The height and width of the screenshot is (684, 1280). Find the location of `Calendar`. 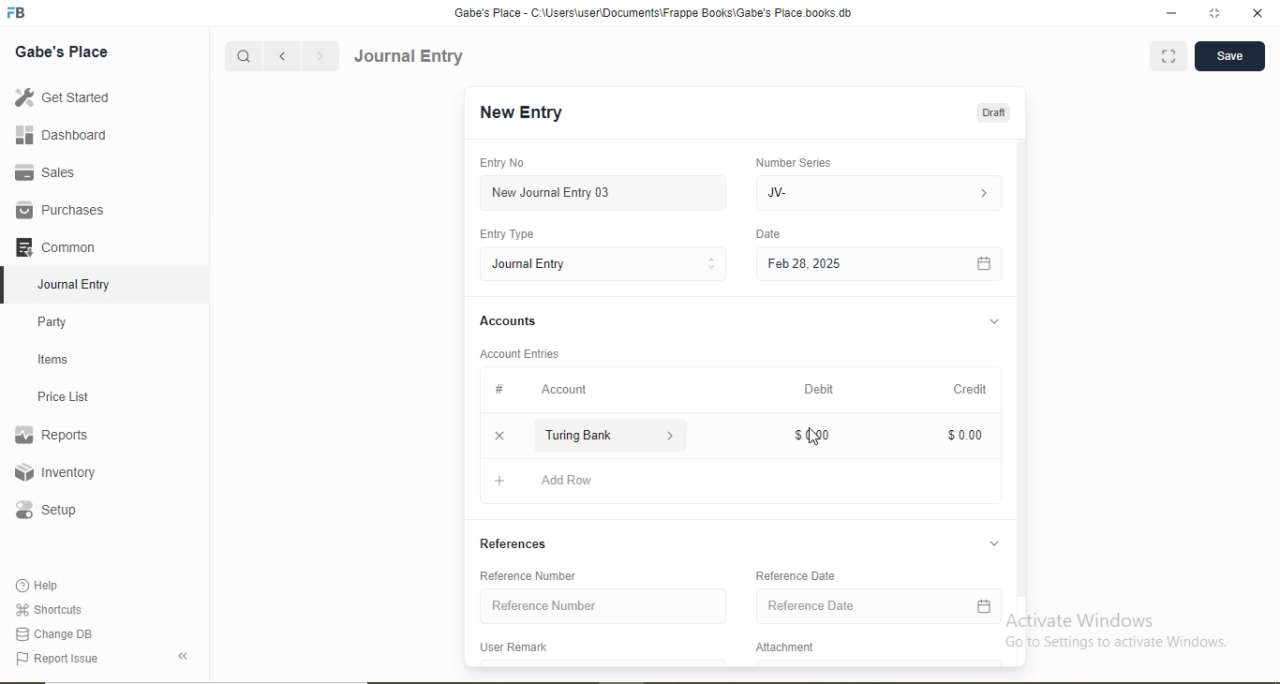

Calendar is located at coordinates (984, 606).